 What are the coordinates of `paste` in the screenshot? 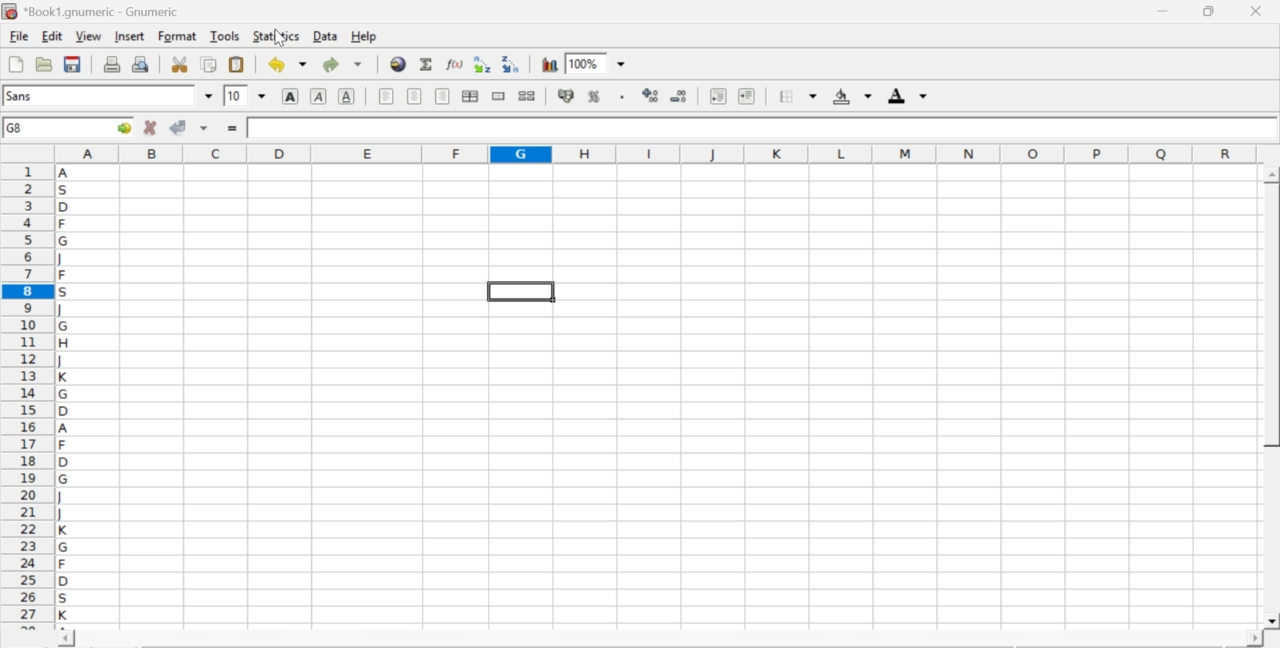 It's located at (238, 65).